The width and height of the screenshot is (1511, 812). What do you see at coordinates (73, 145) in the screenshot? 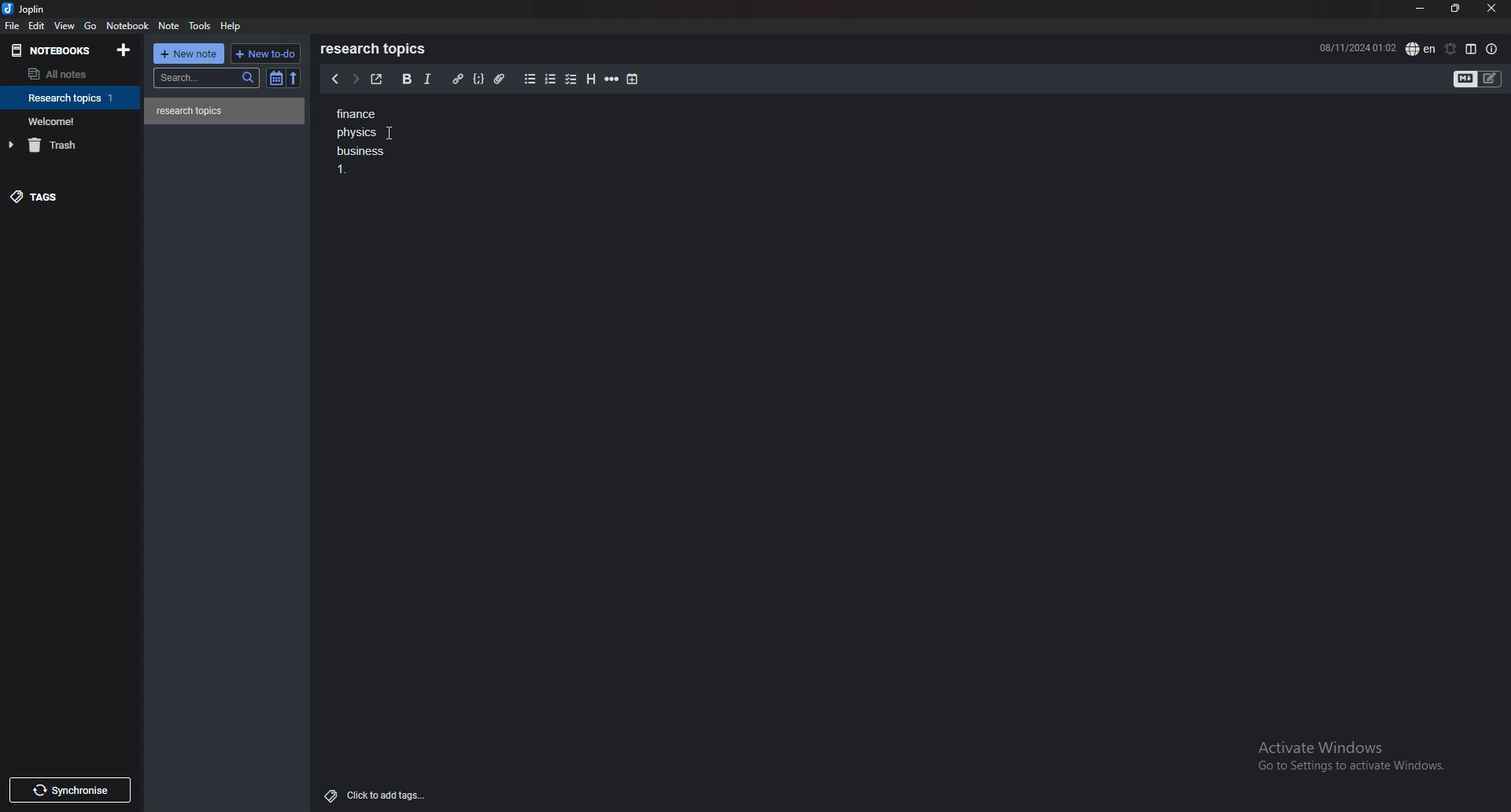
I see `trash` at bounding box center [73, 145].